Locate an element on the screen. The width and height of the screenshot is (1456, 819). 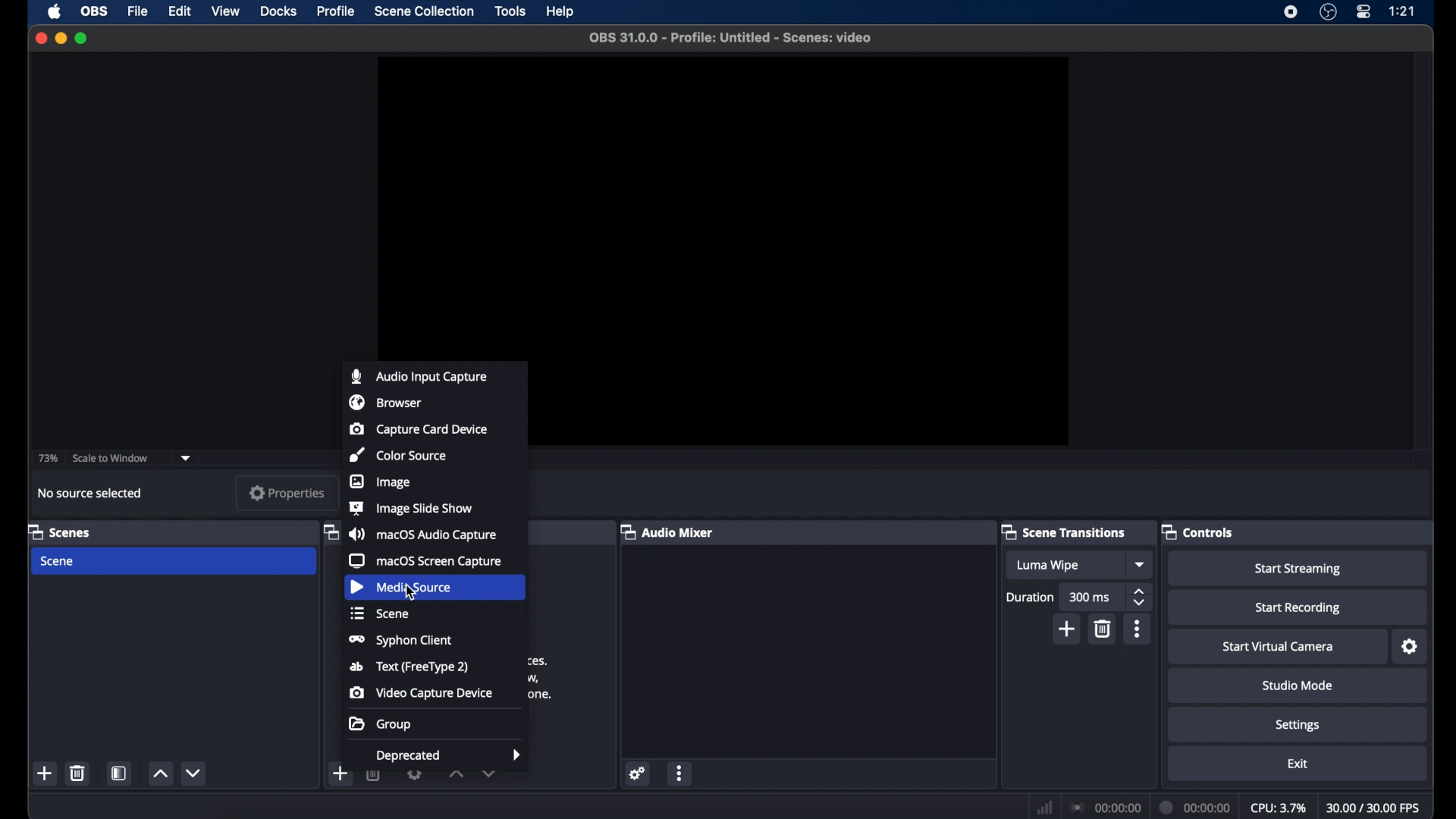
screen recorder icon is located at coordinates (1291, 12).